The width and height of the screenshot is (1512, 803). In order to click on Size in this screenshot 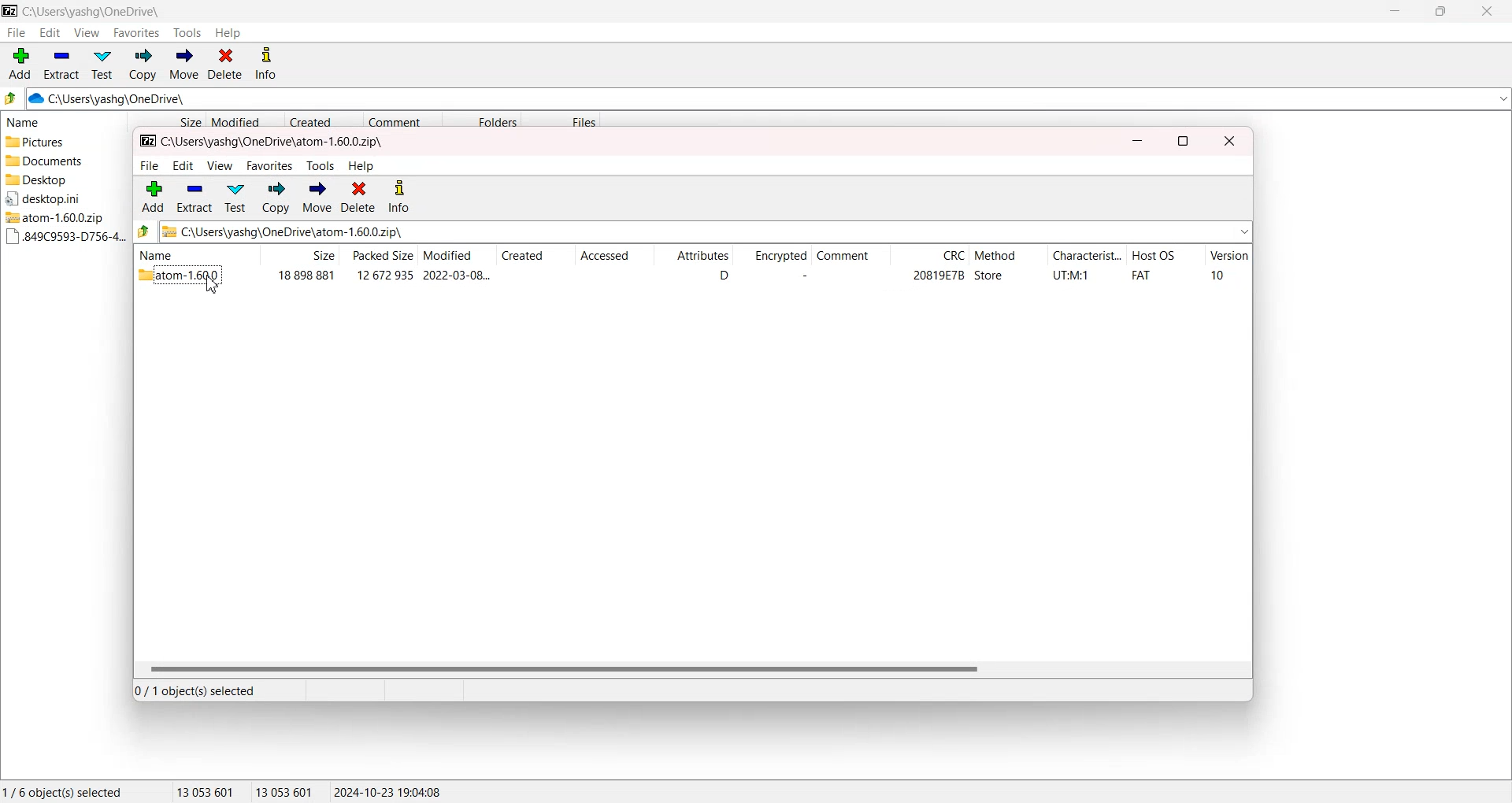, I will do `click(299, 255)`.